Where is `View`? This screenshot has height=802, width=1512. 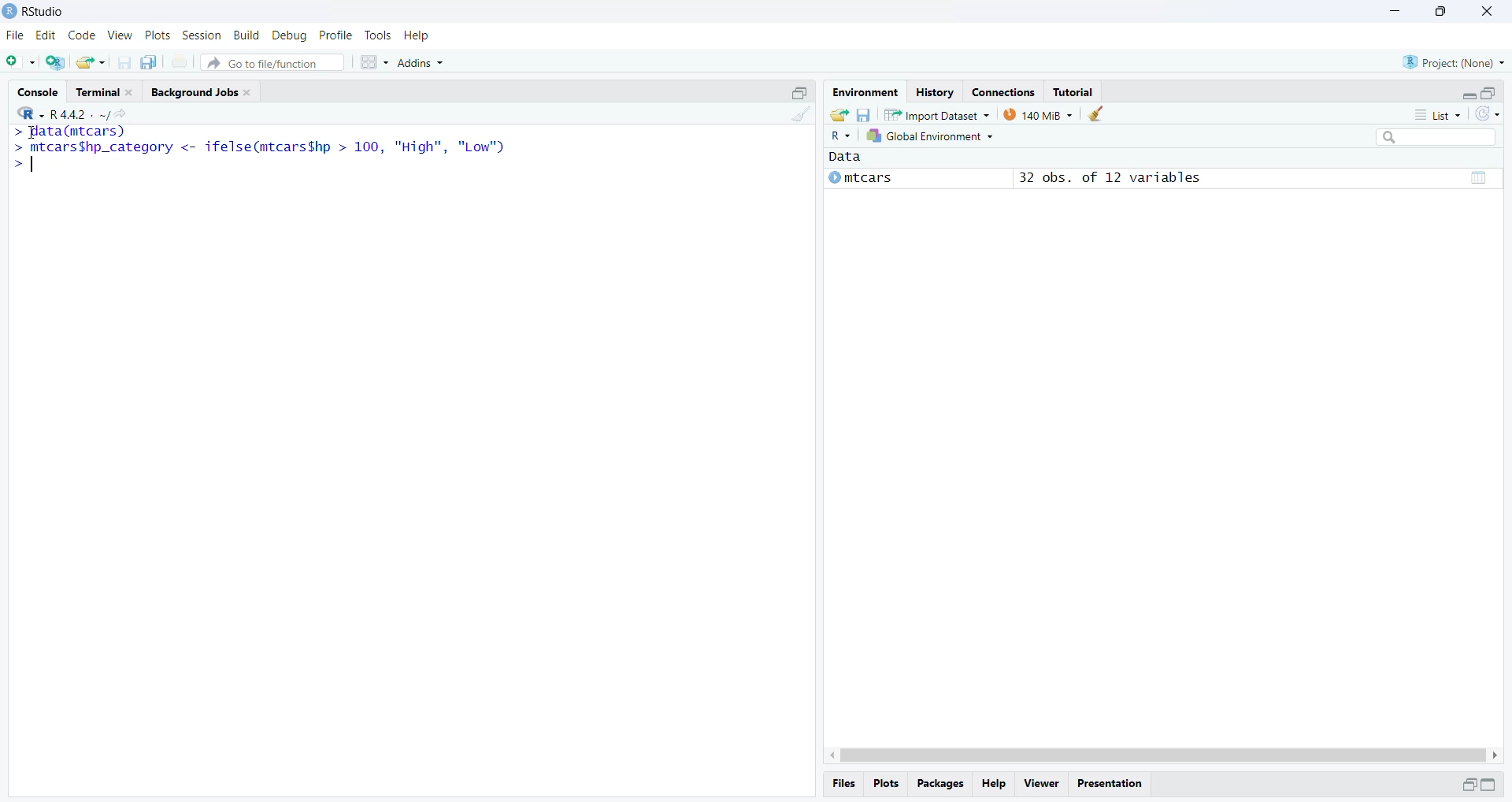
View is located at coordinates (1040, 782).